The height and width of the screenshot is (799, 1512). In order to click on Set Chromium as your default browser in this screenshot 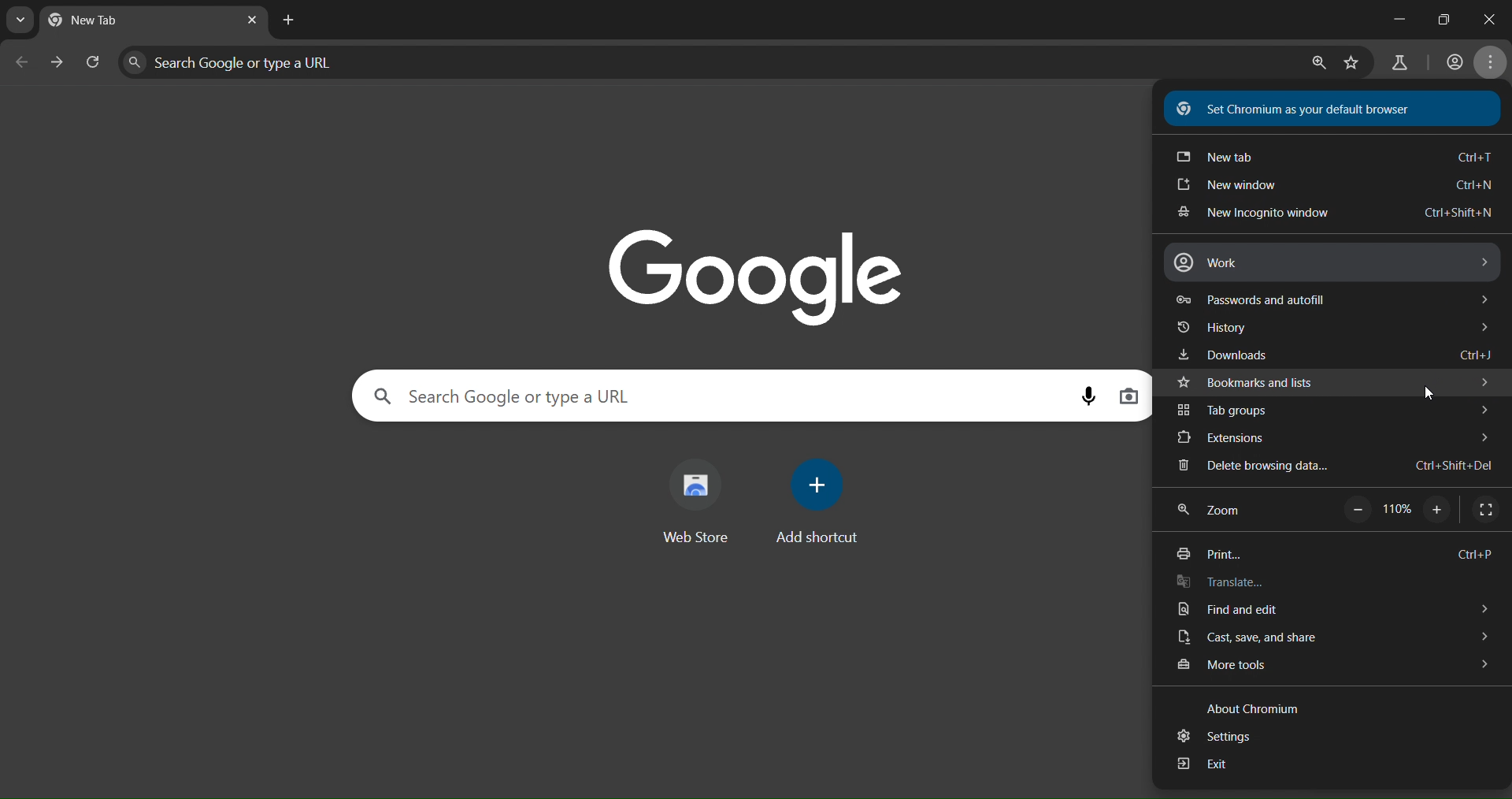, I will do `click(1297, 109)`.